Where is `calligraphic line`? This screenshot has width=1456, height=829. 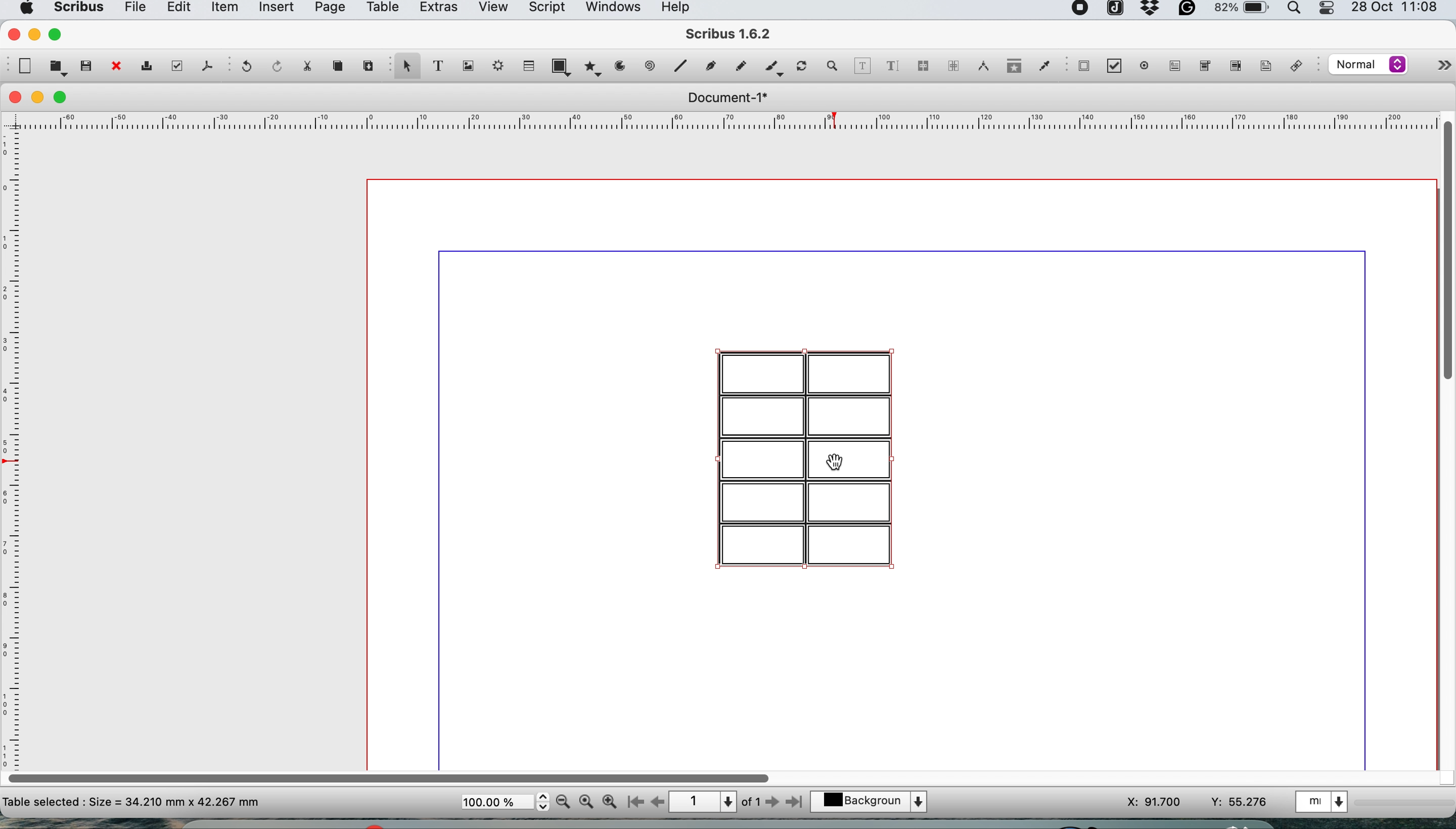
calligraphic line is located at coordinates (772, 69).